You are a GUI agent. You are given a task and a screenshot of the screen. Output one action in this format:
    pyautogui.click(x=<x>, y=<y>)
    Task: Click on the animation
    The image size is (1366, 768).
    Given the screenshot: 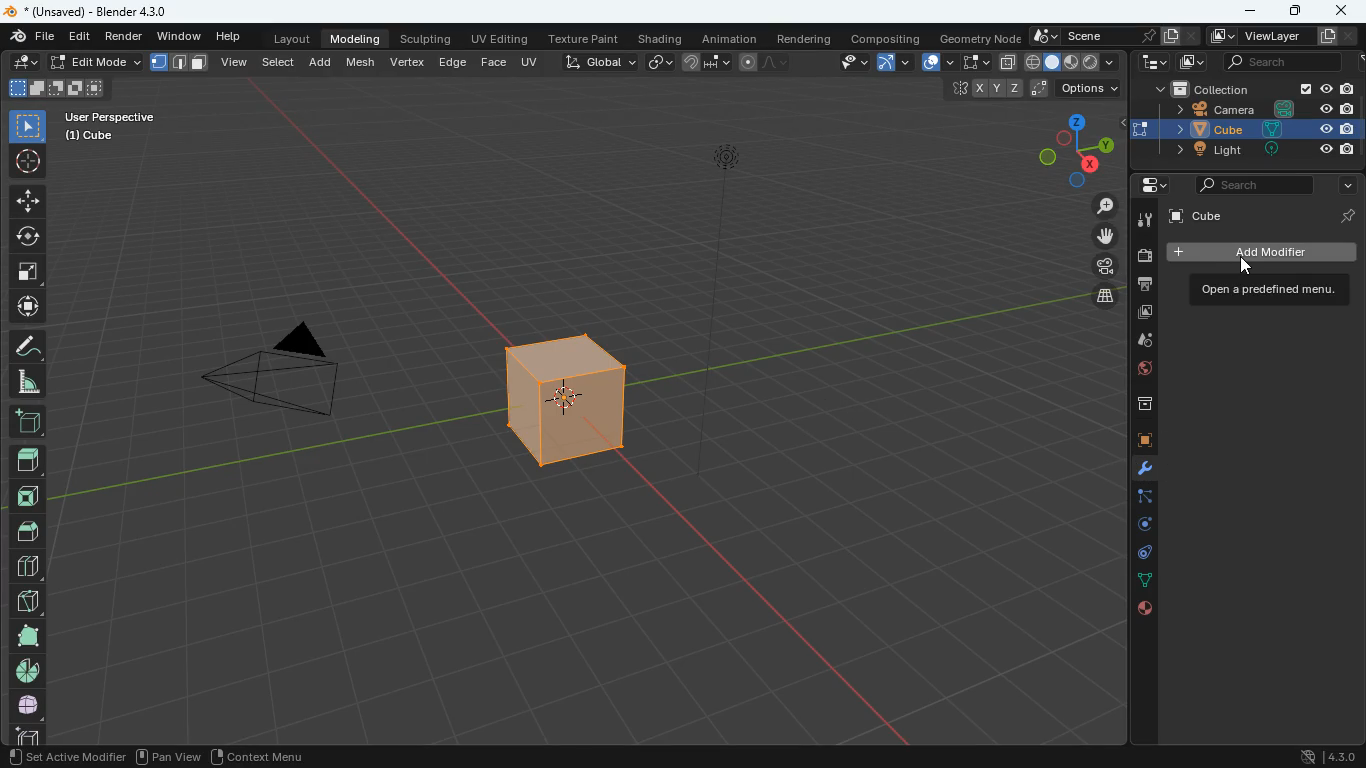 What is the action you would take?
    pyautogui.click(x=731, y=36)
    